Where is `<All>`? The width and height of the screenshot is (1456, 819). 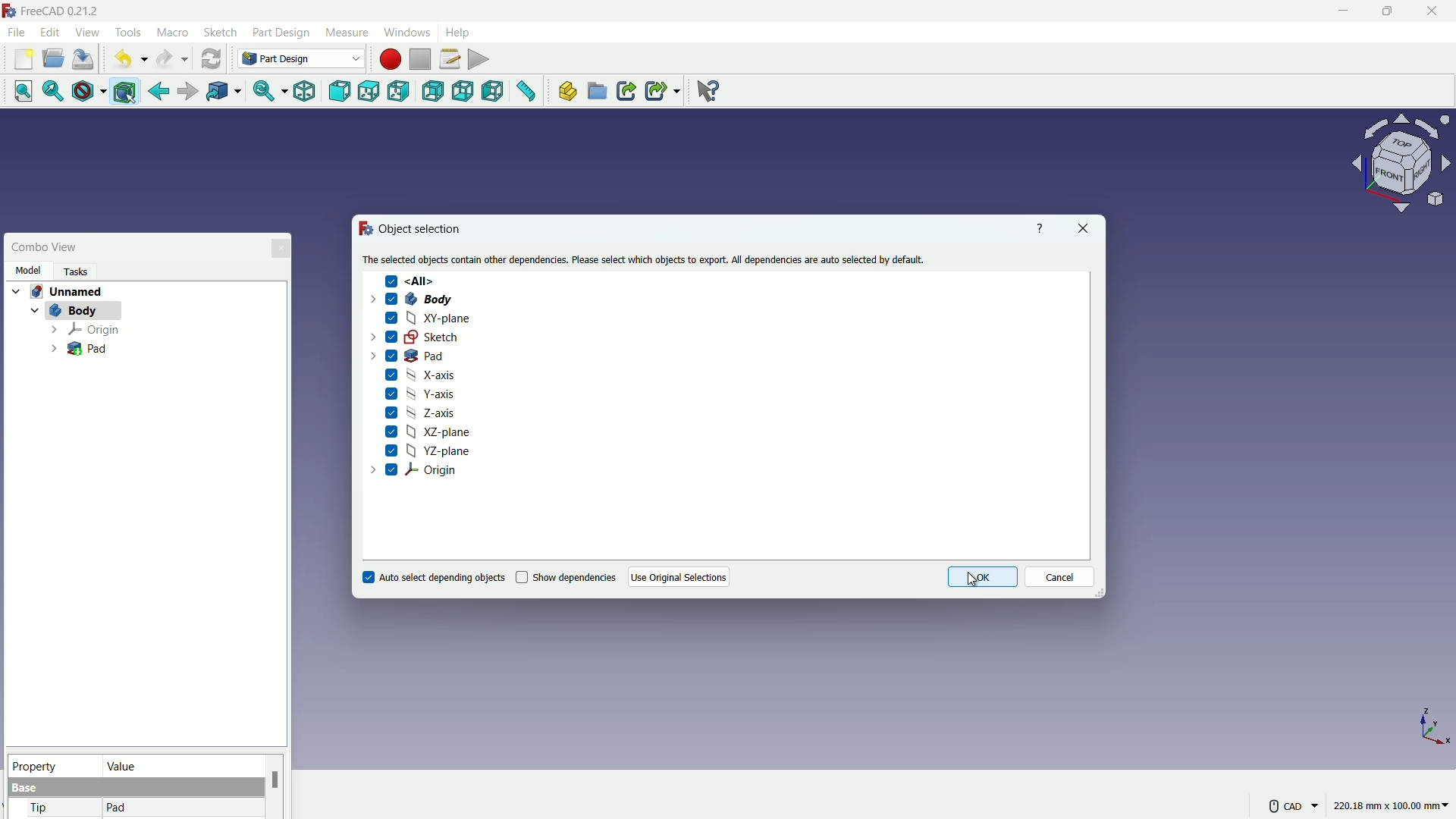
<All> is located at coordinates (409, 281).